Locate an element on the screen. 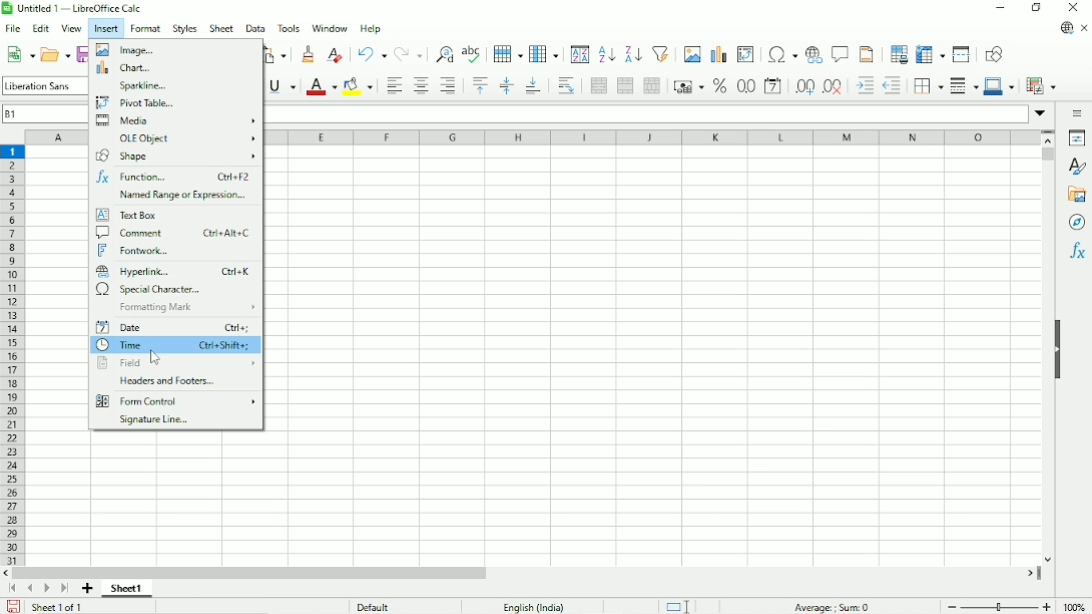 The height and width of the screenshot is (614, 1092). Scroll to previous sheet is located at coordinates (29, 589).